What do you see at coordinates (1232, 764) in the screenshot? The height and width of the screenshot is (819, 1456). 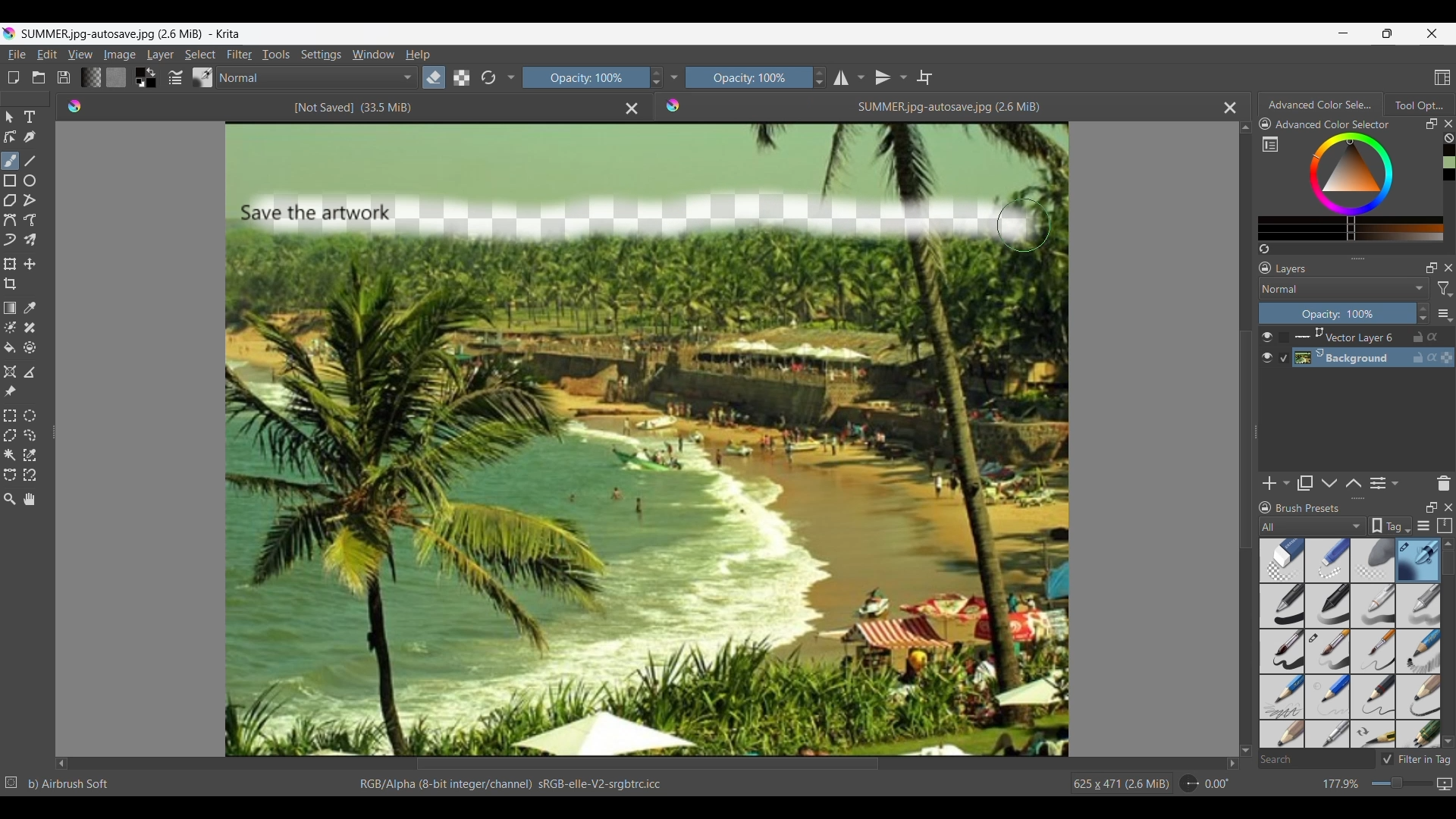 I see `Quick slide to right` at bounding box center [1232, 764].